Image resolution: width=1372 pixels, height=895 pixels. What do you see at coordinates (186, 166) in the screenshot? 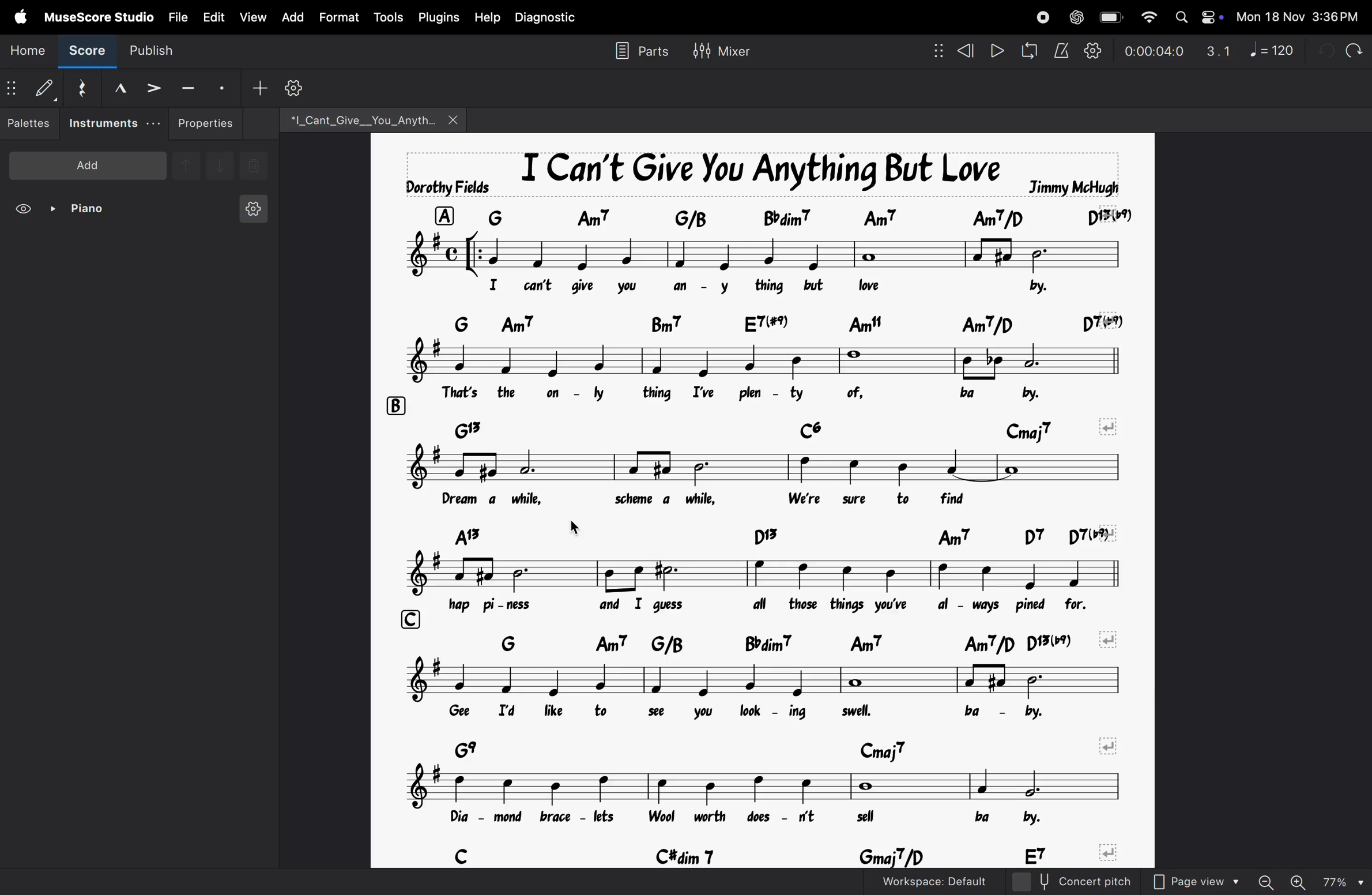
I see `up note` at bounding box center [186, 166].